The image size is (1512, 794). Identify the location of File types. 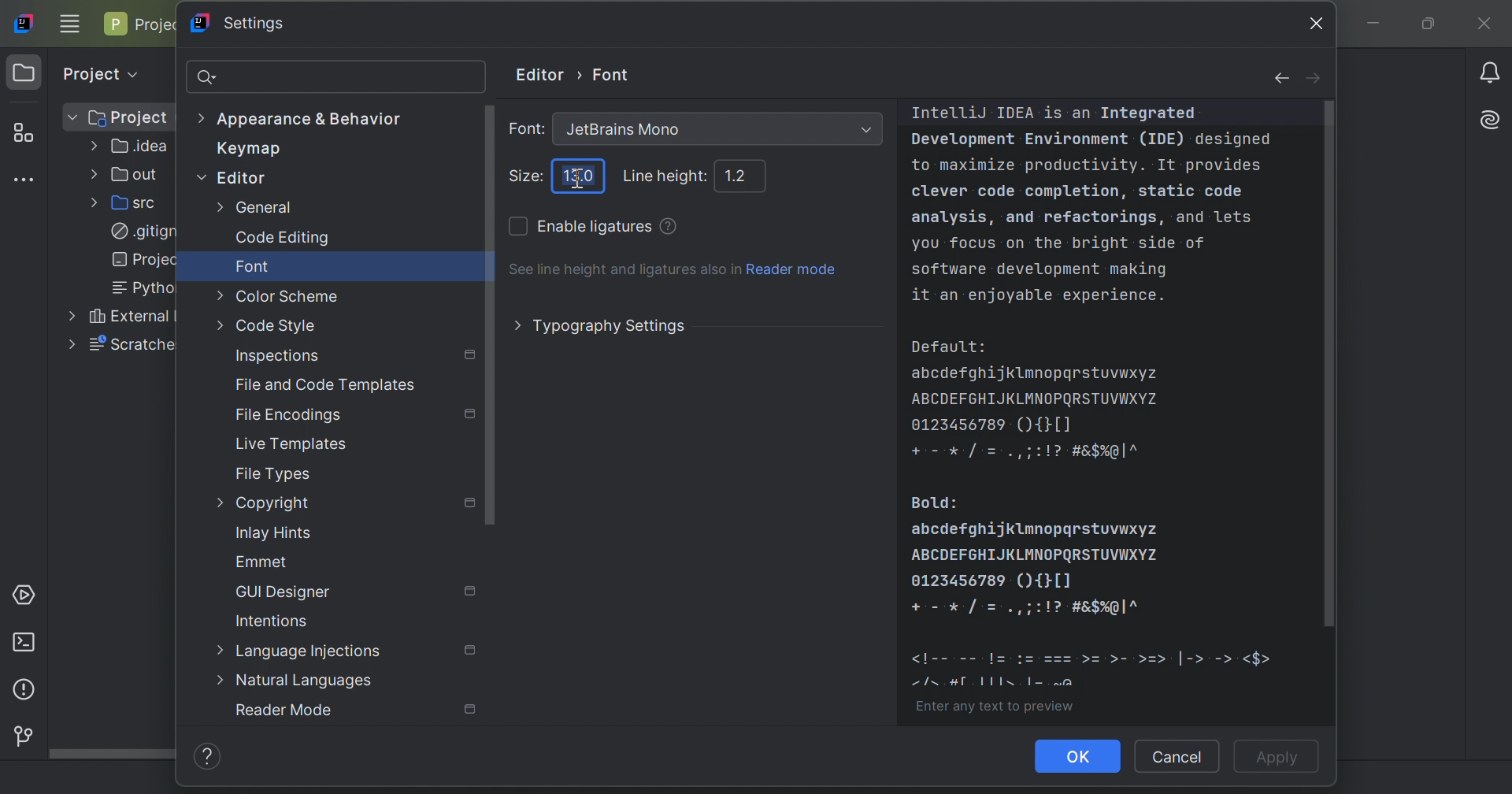
(275, 473).